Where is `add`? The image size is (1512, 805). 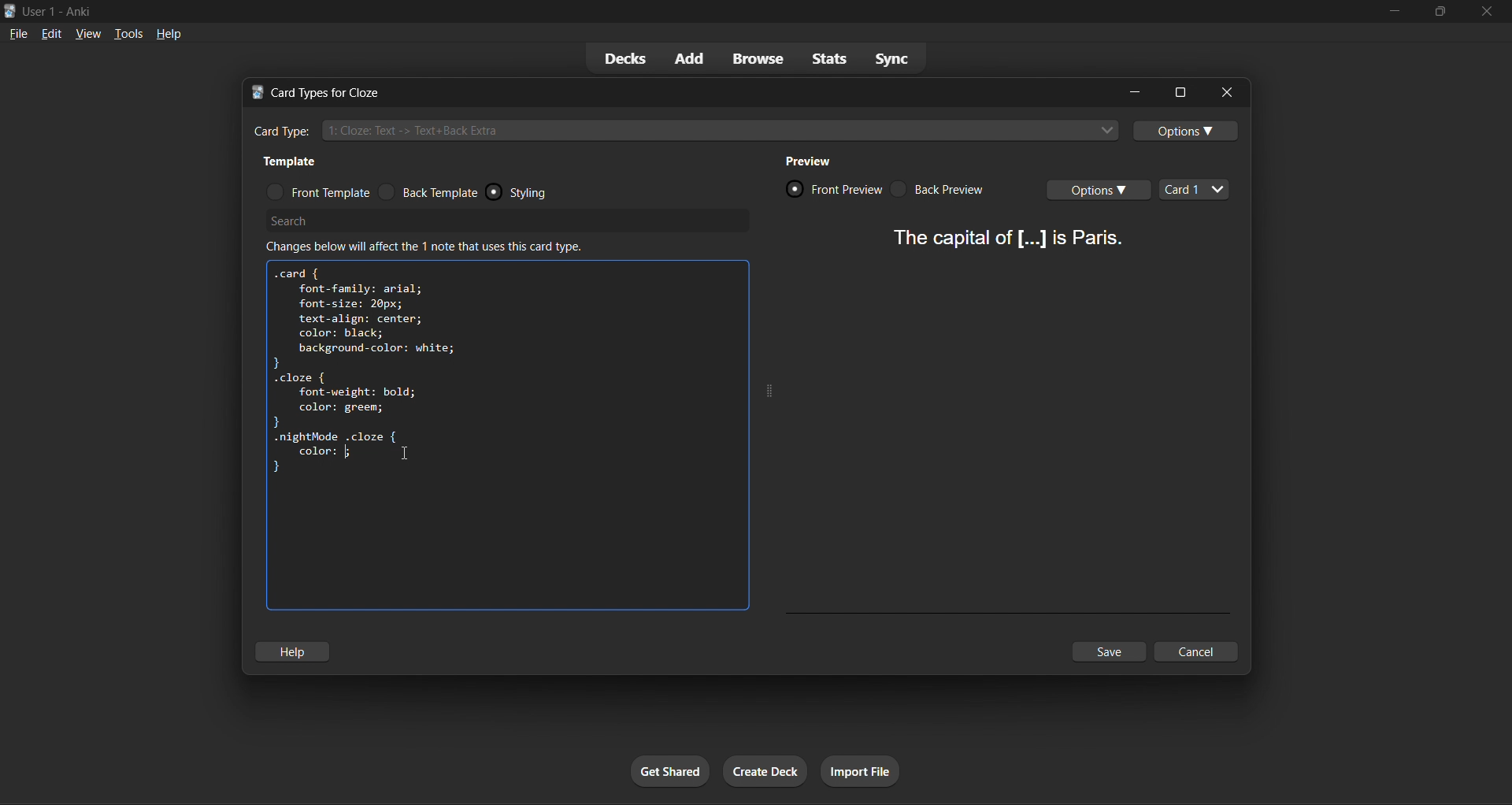
add is located at coordinates (689, 57).